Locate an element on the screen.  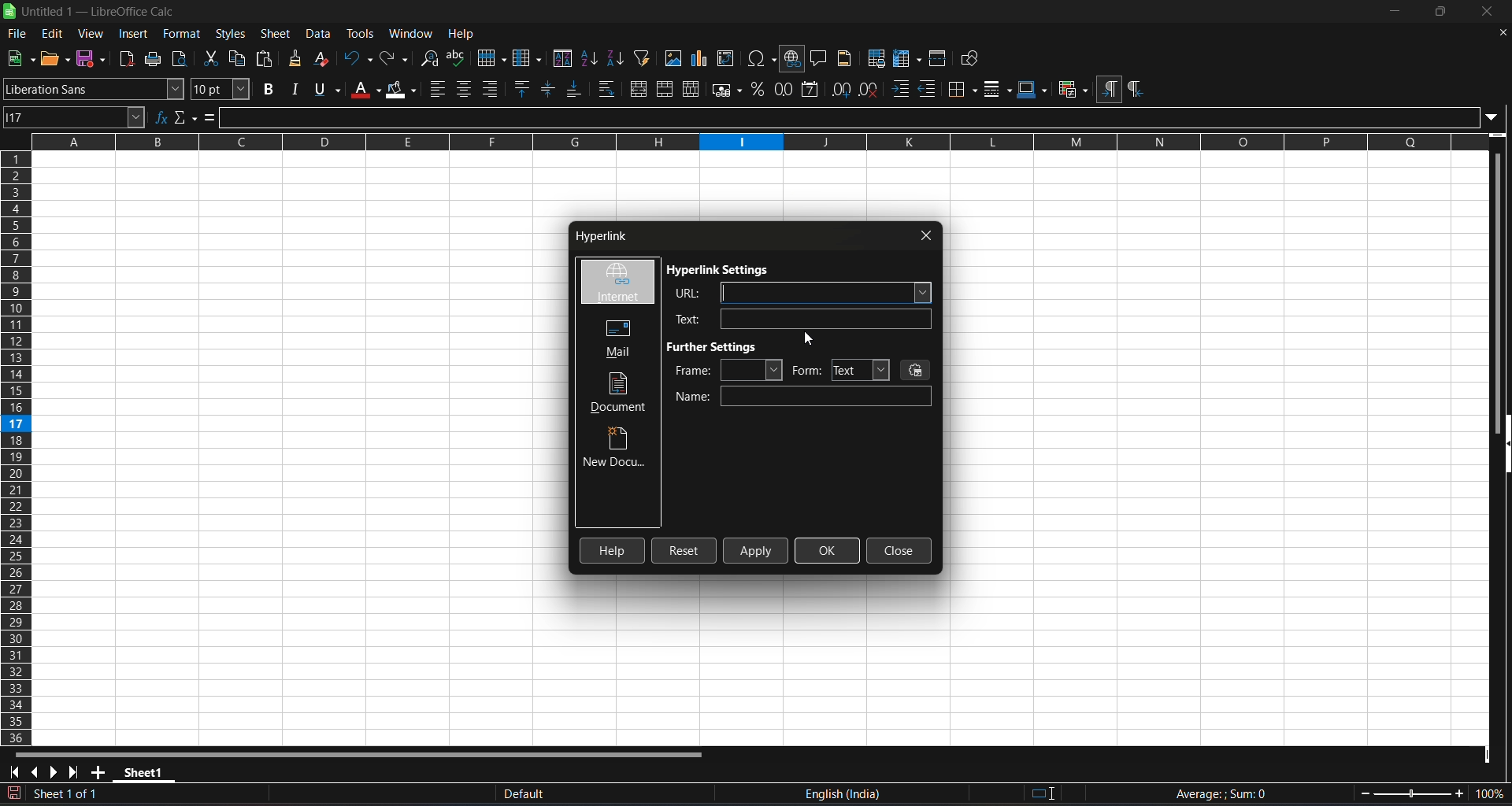
select function is located at coordinates (187, 117).